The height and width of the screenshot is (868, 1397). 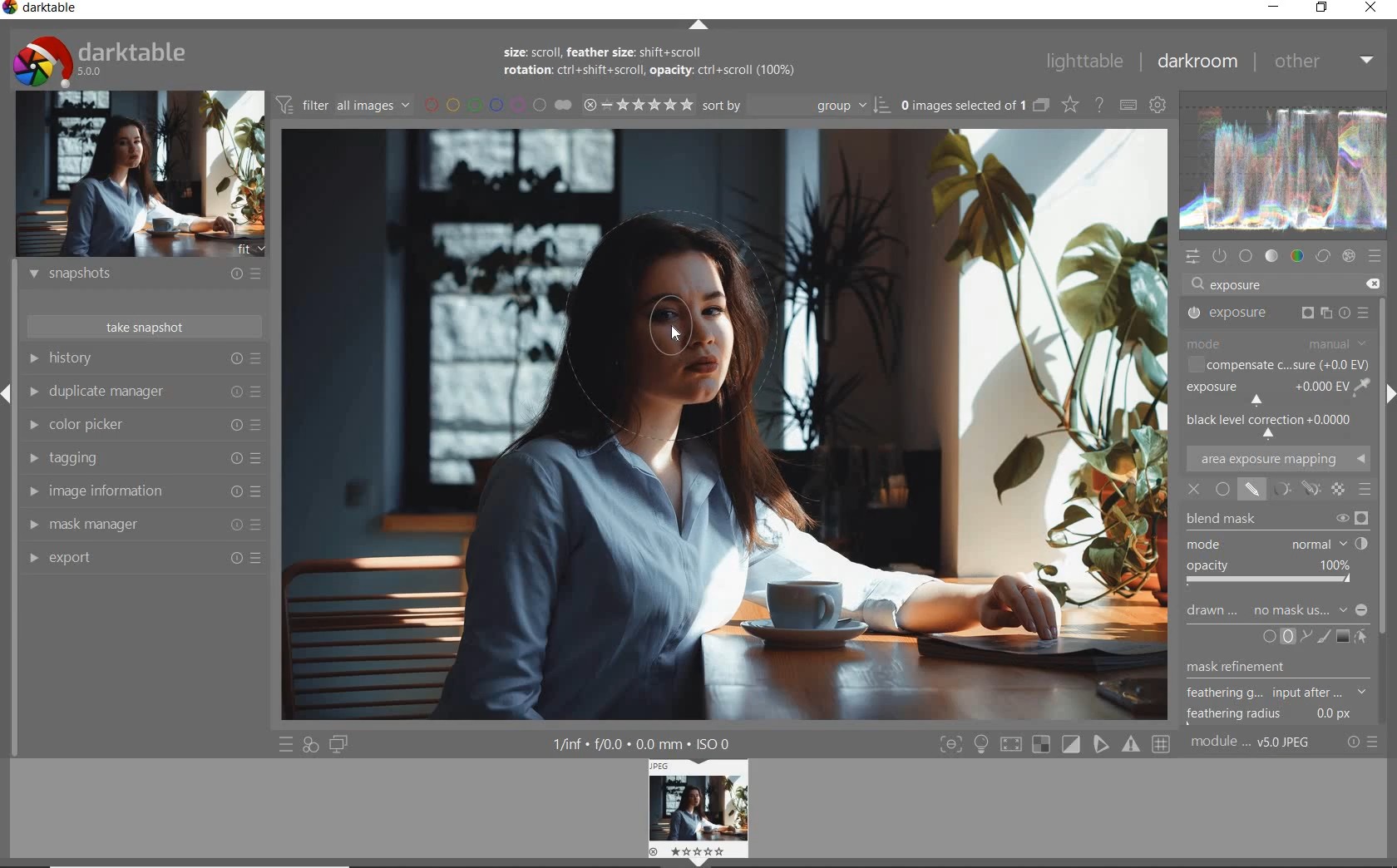 What do you see at coordinates (1085, 60) in the screenshot?
I see `lighttable` at bounding box center [1085, 60].